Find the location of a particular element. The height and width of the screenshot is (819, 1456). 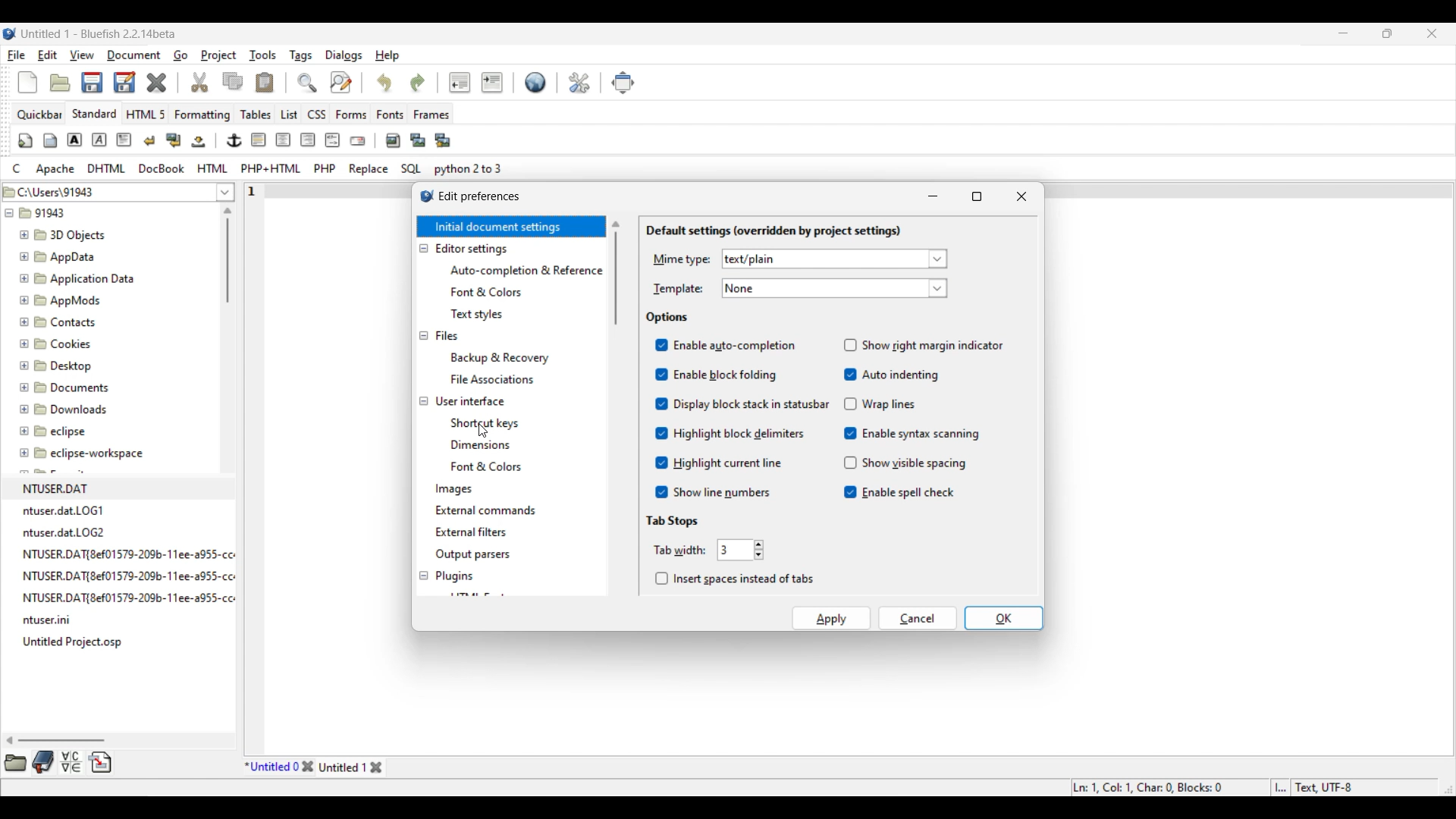

Forms is located at coordinates (351, 115).